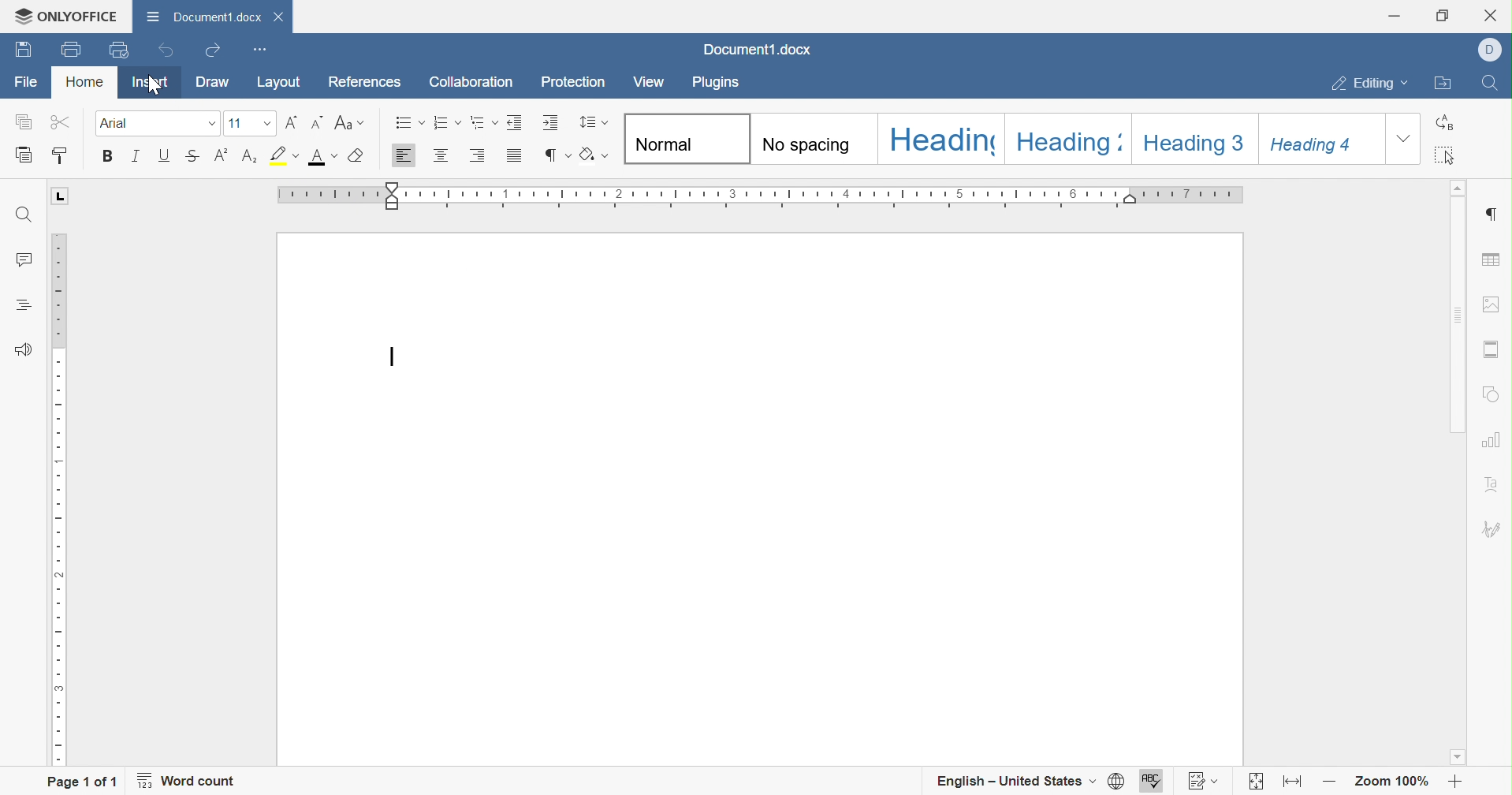 The image size is (1512, 795). What do you see at coordinates (1494, 305) in the screenshot?
I see `Image settings` at bounding box center [1494, 305].